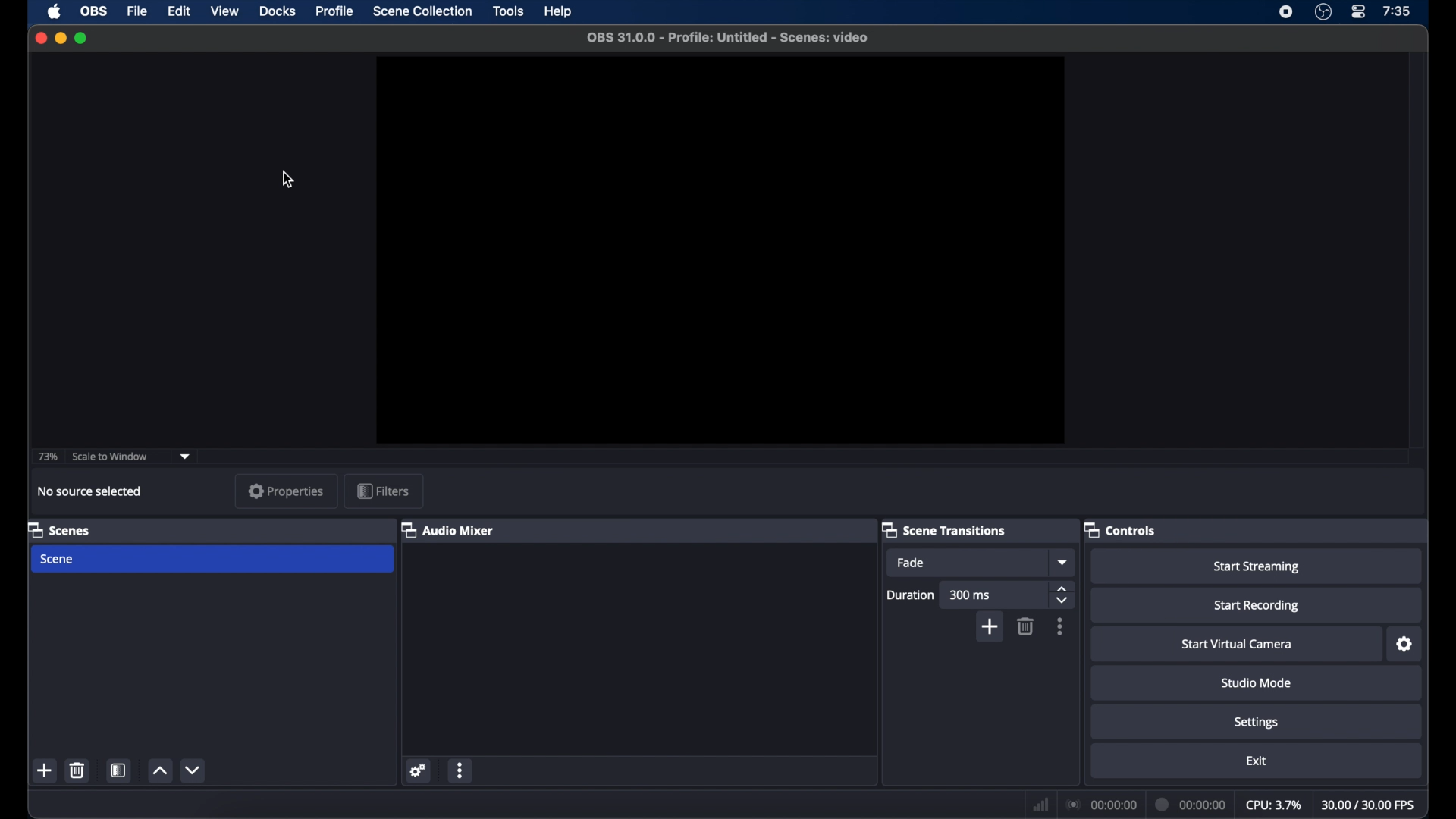 This screenshot has width=1456, height=819. I want to click on close, so click(40, 38).